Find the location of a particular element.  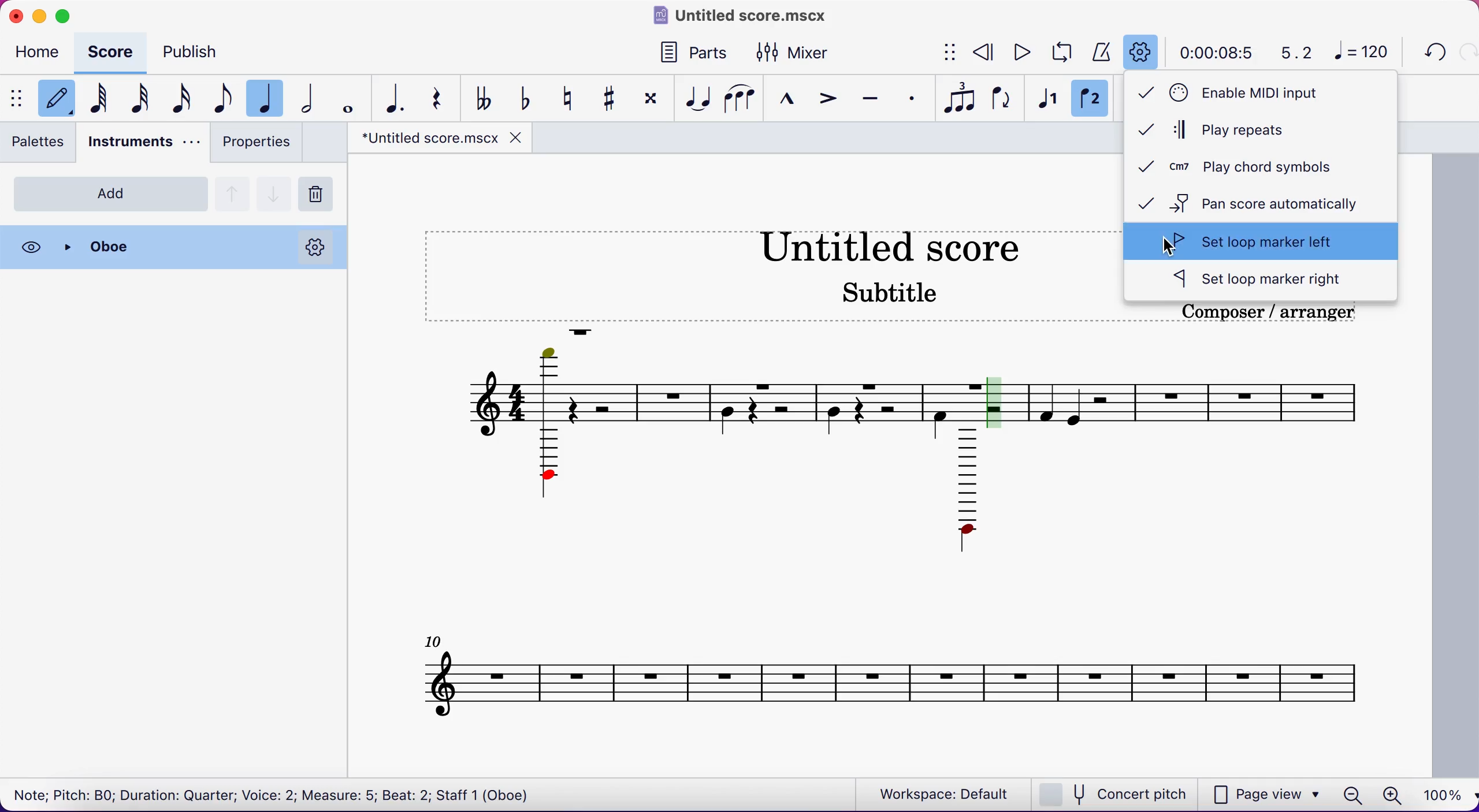

voice1 is located at coordinates (1046, 100).